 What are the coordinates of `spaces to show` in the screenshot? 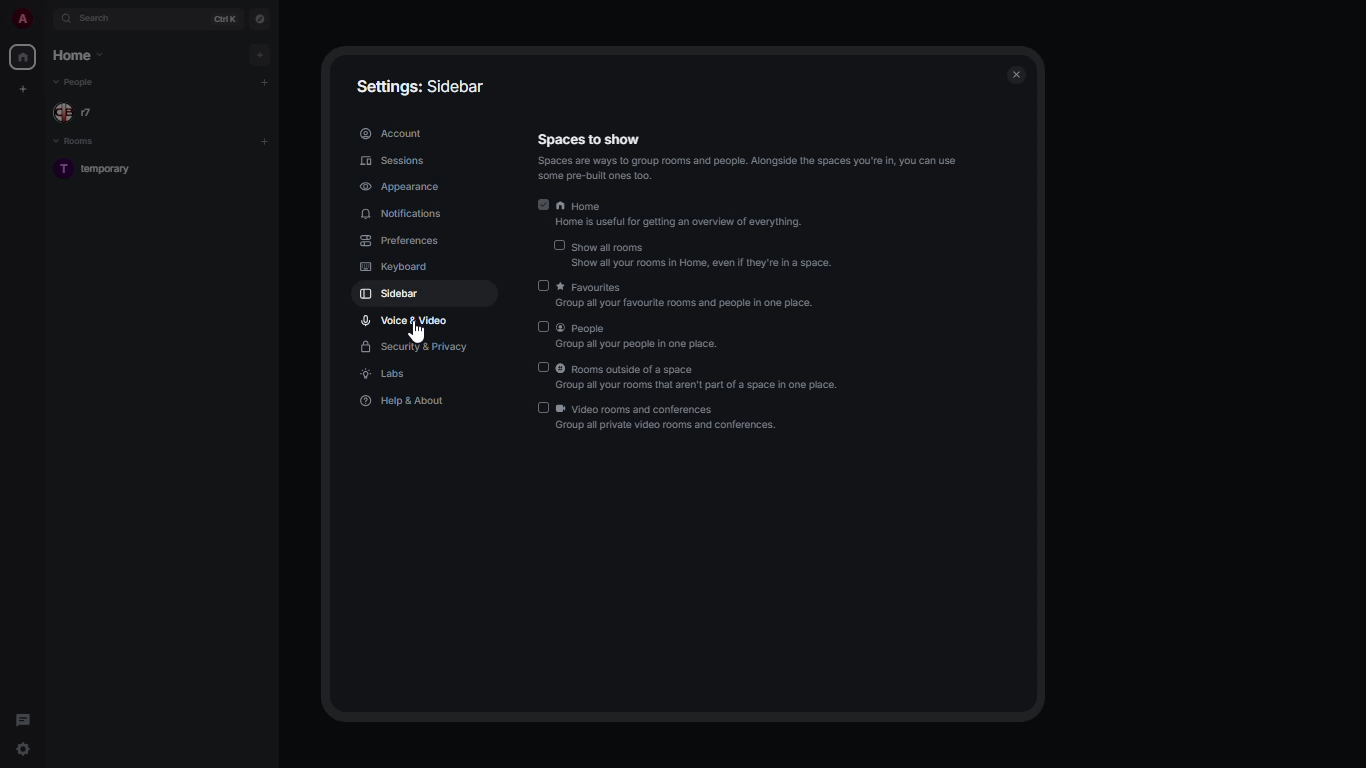 It's located at (747, 156).